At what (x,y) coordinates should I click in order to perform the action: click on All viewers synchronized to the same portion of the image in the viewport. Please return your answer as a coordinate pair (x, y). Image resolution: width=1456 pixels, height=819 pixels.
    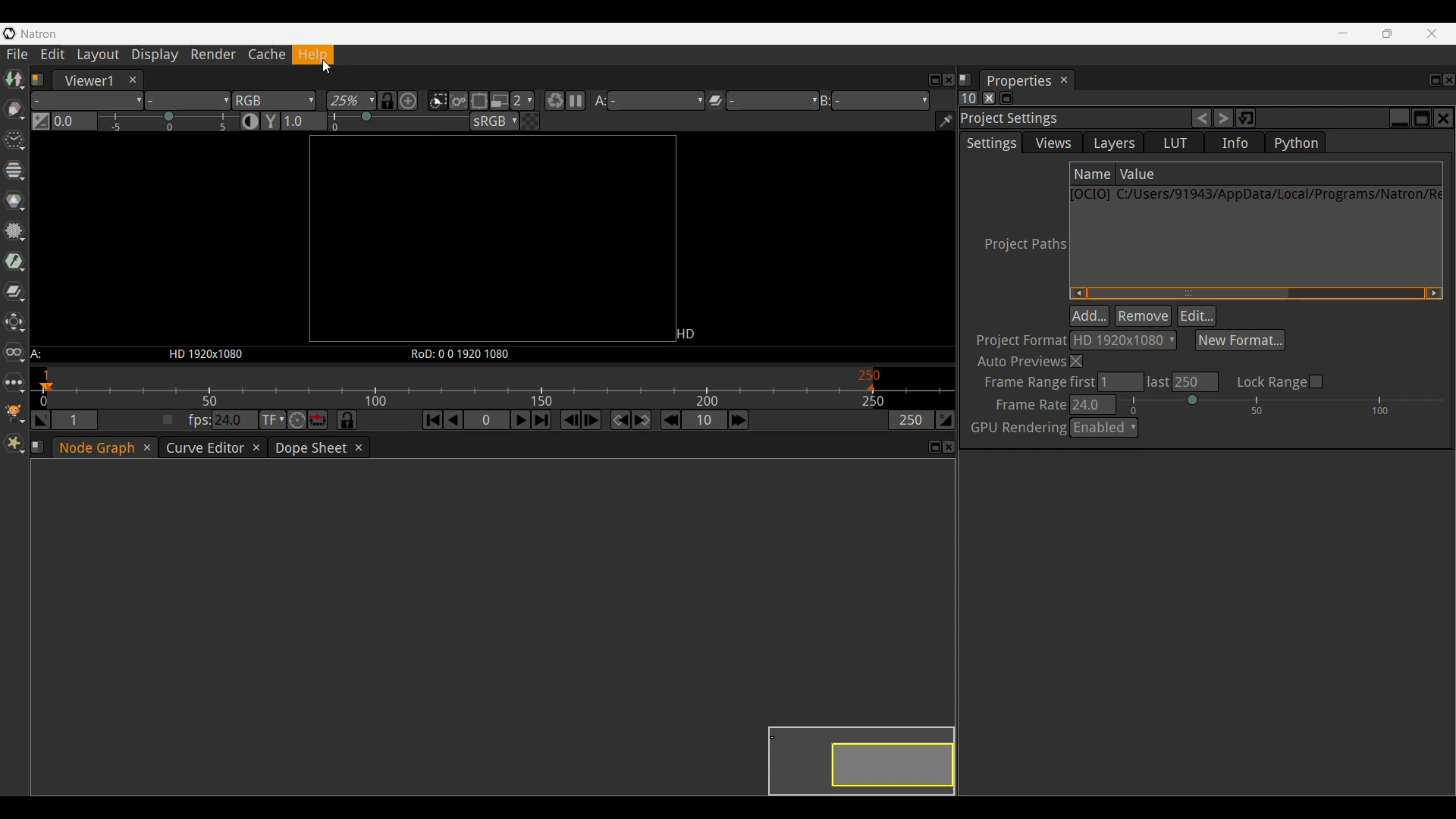
    Looking at the image, I should click on (388, 101).